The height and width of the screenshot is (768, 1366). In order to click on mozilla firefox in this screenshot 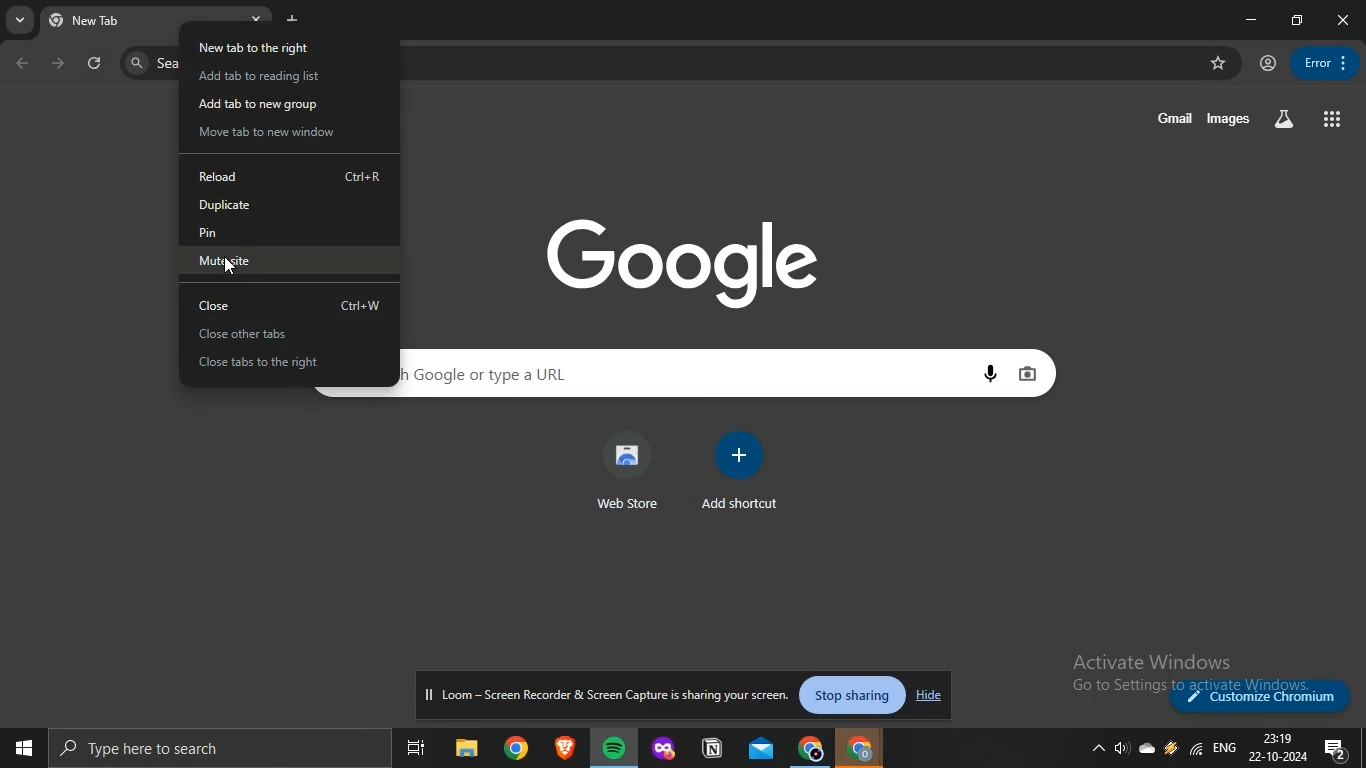, I will do `click(663, 749)`.